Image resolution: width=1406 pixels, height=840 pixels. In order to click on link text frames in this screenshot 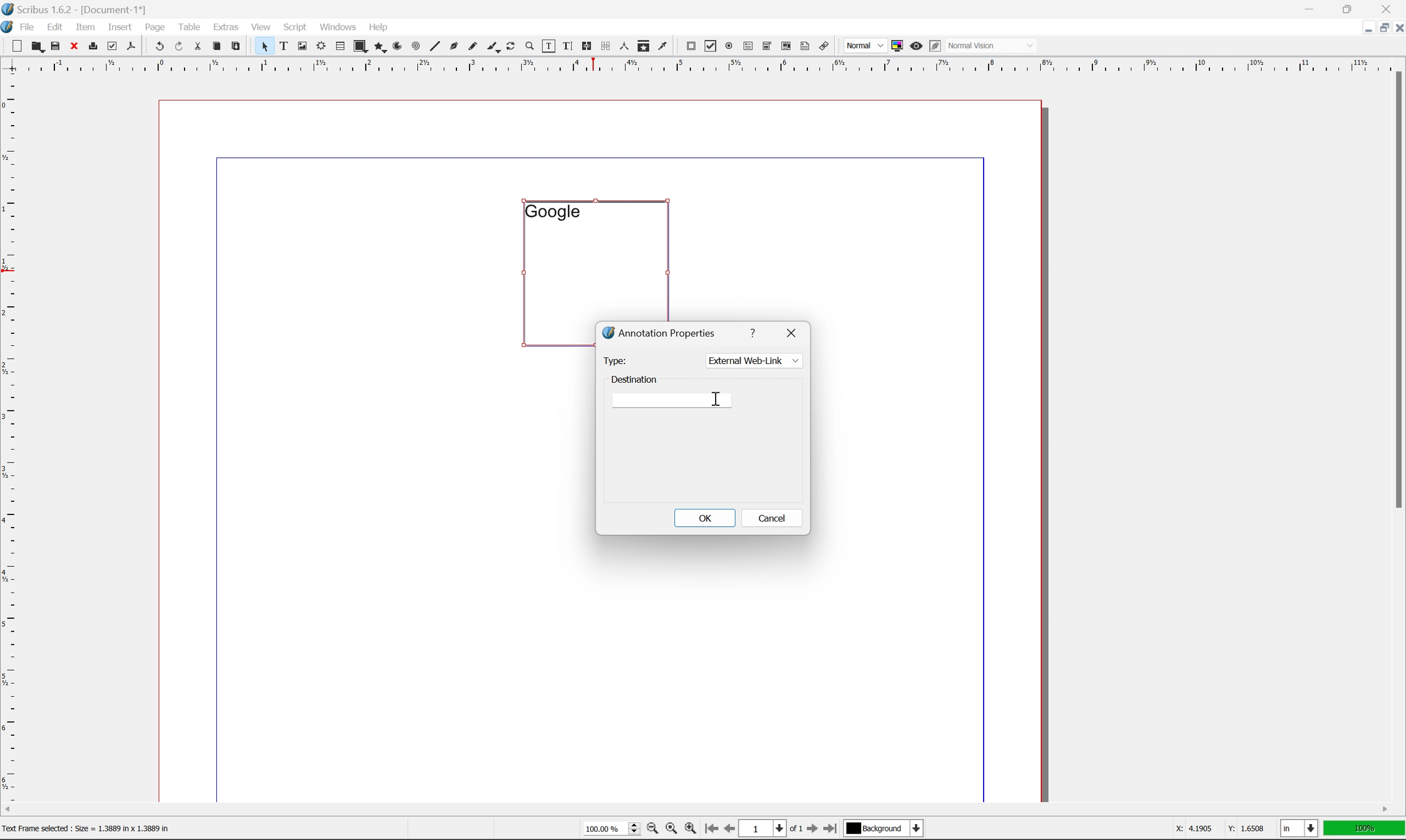, I will do `click(585, 46)`.